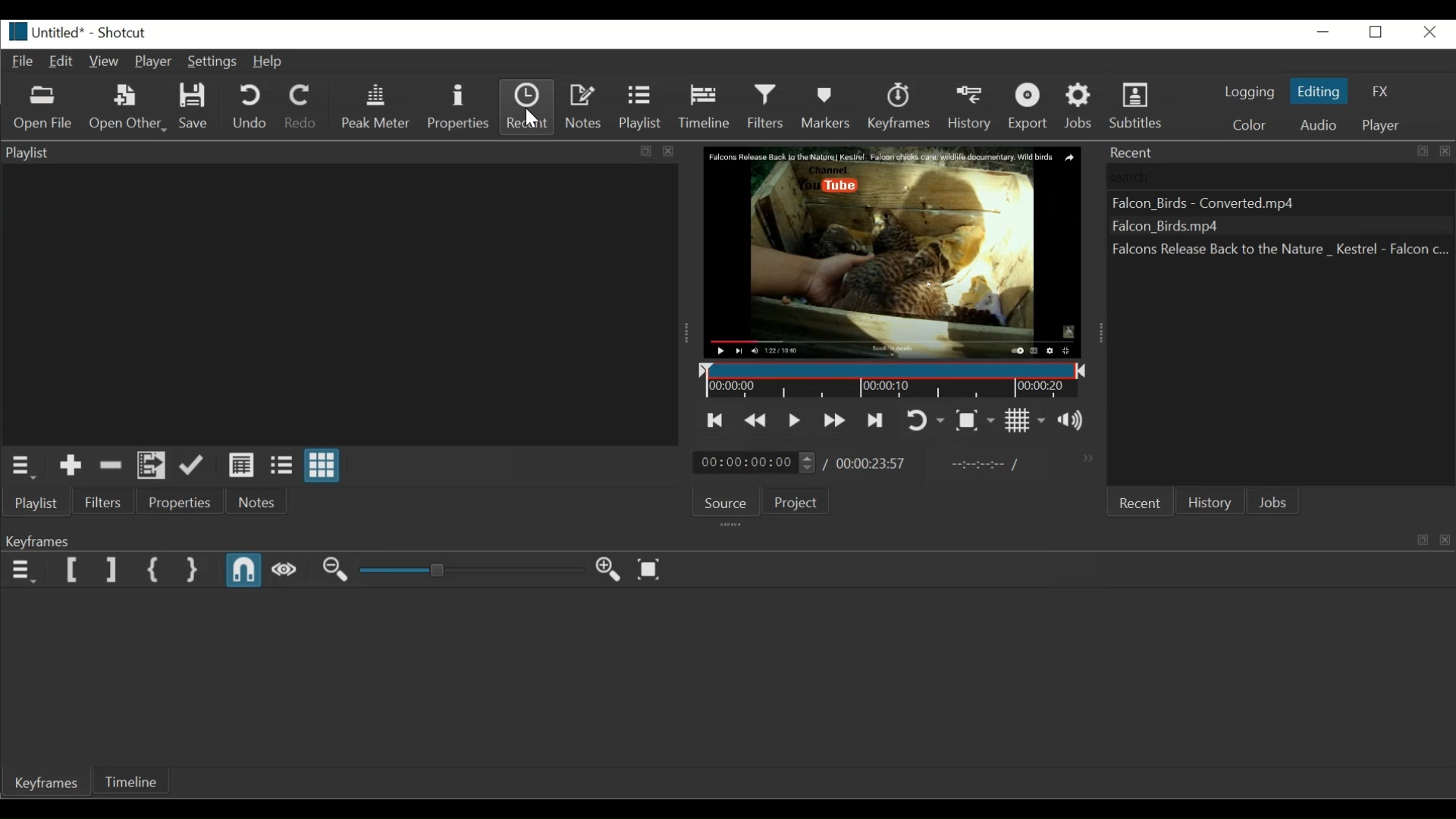 The width and height of the screenshot is (1456, 819). I want to click on Filters, so click(767, 107).